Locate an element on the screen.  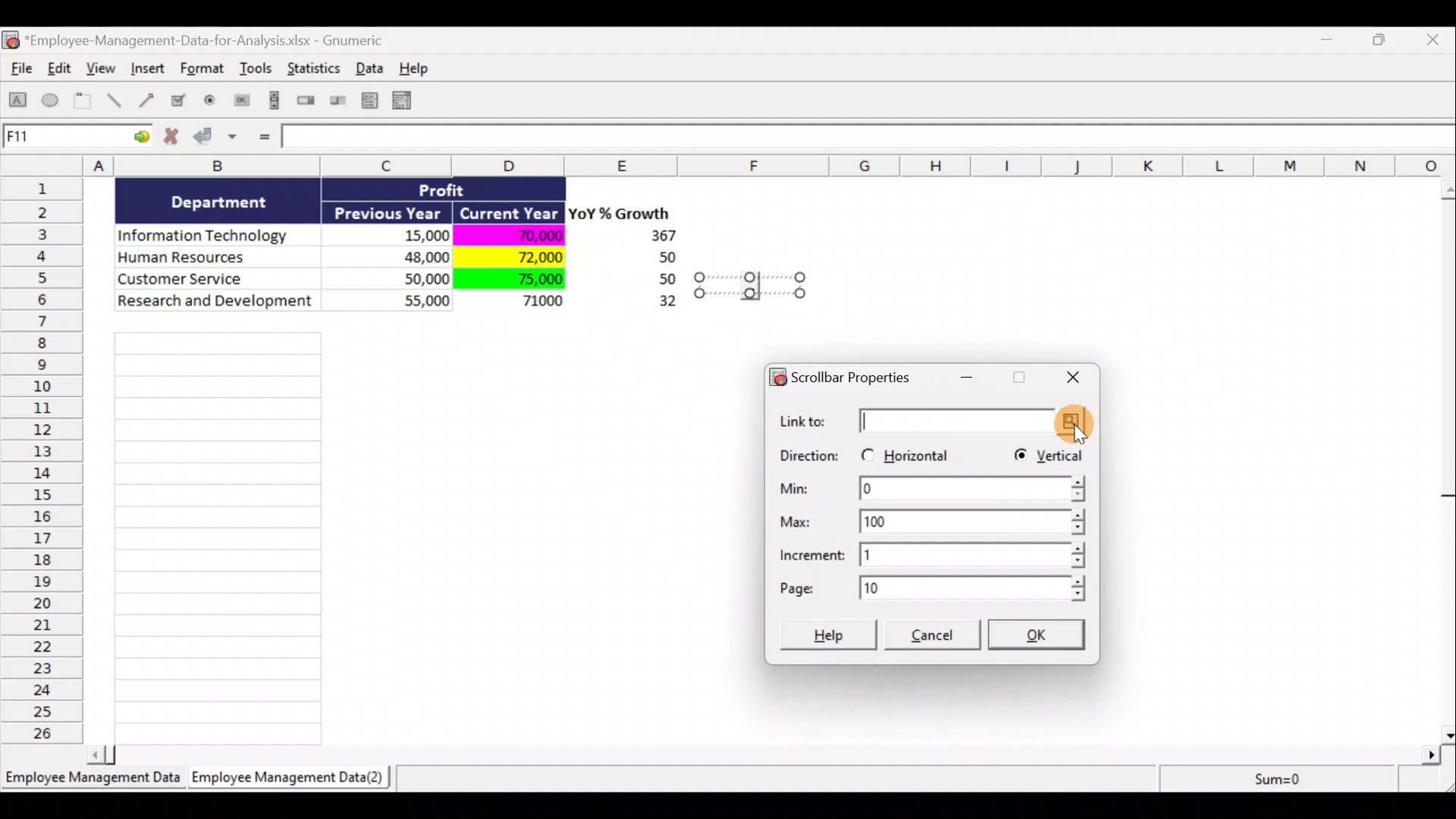
Enter formula is located at coordinates (262, 138).